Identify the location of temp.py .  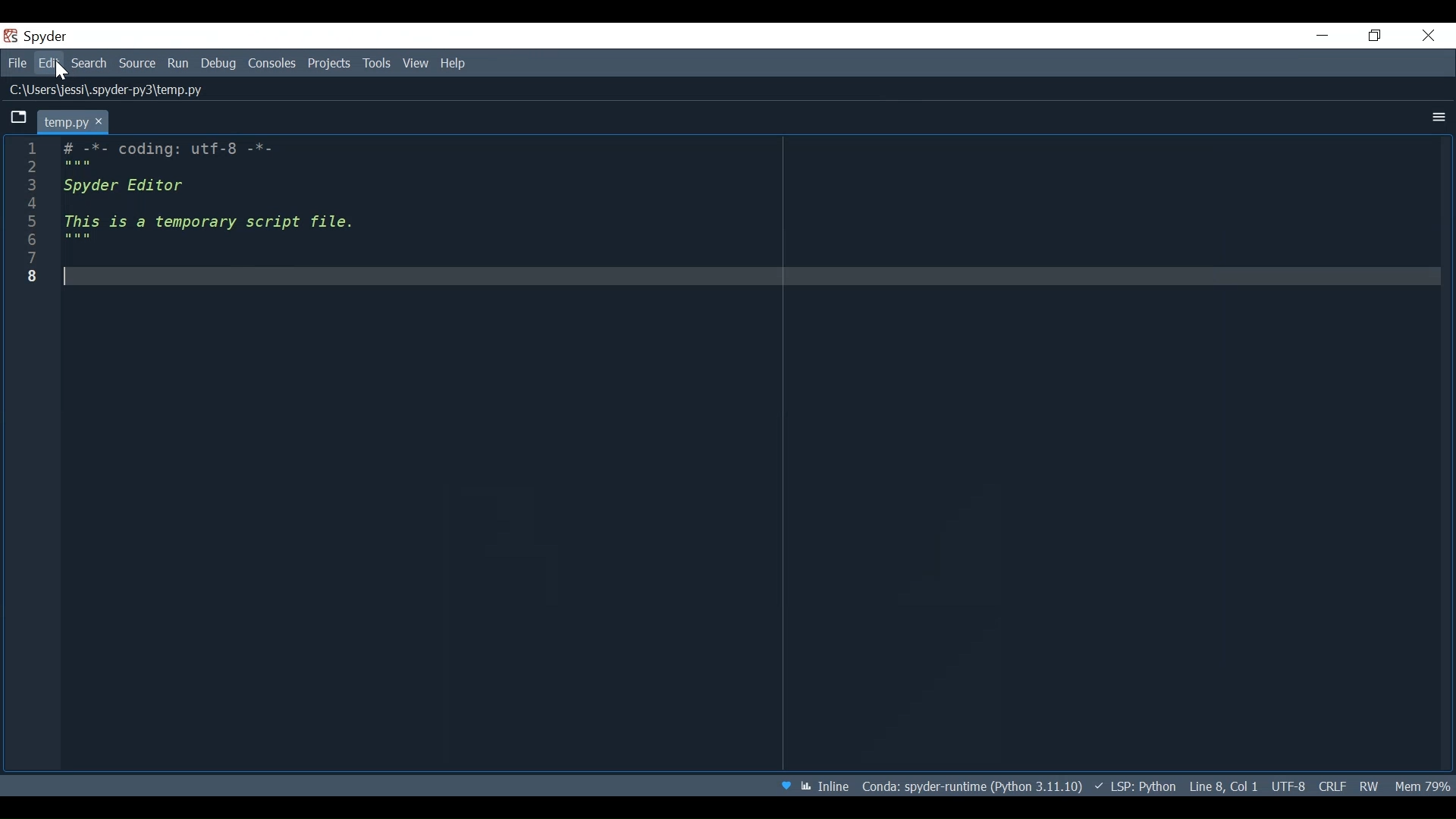
(74, 120).